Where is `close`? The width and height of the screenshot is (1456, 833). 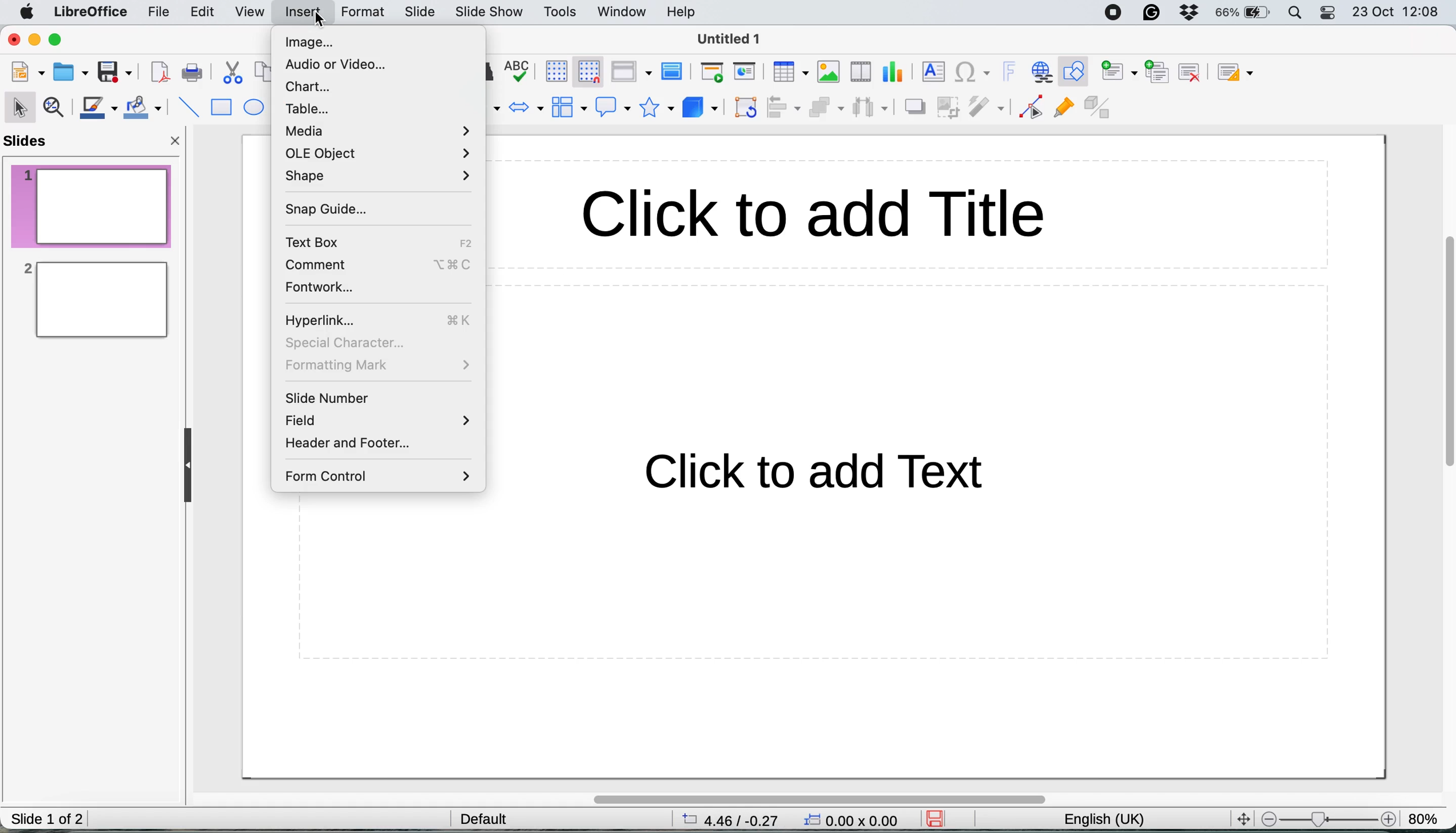
close is located at coordinates (177, 144).